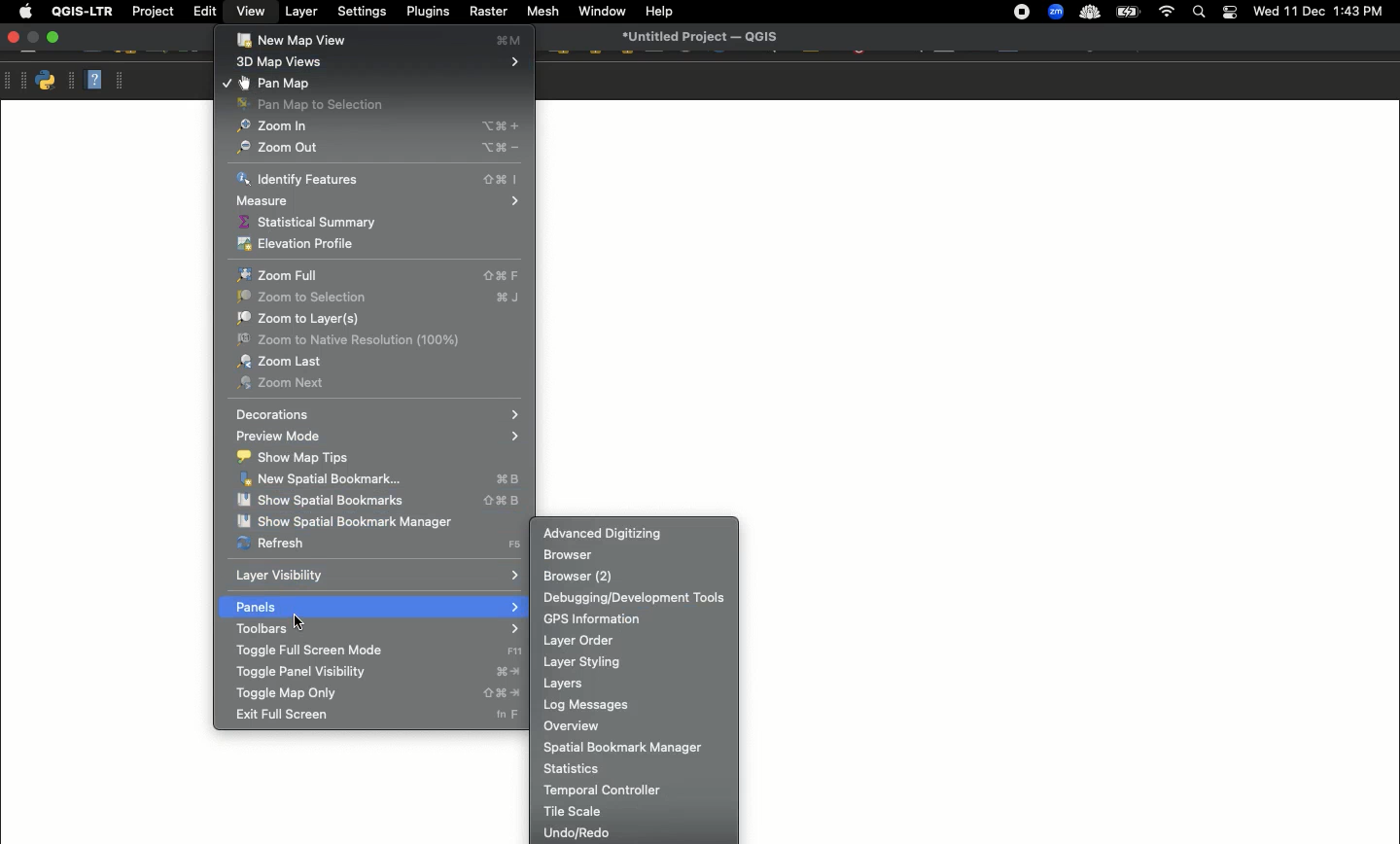 The image size is (1400, 844). Describe the element at coordinates (1306, 14) in the screenshot. I see `11 Dec` at that location.